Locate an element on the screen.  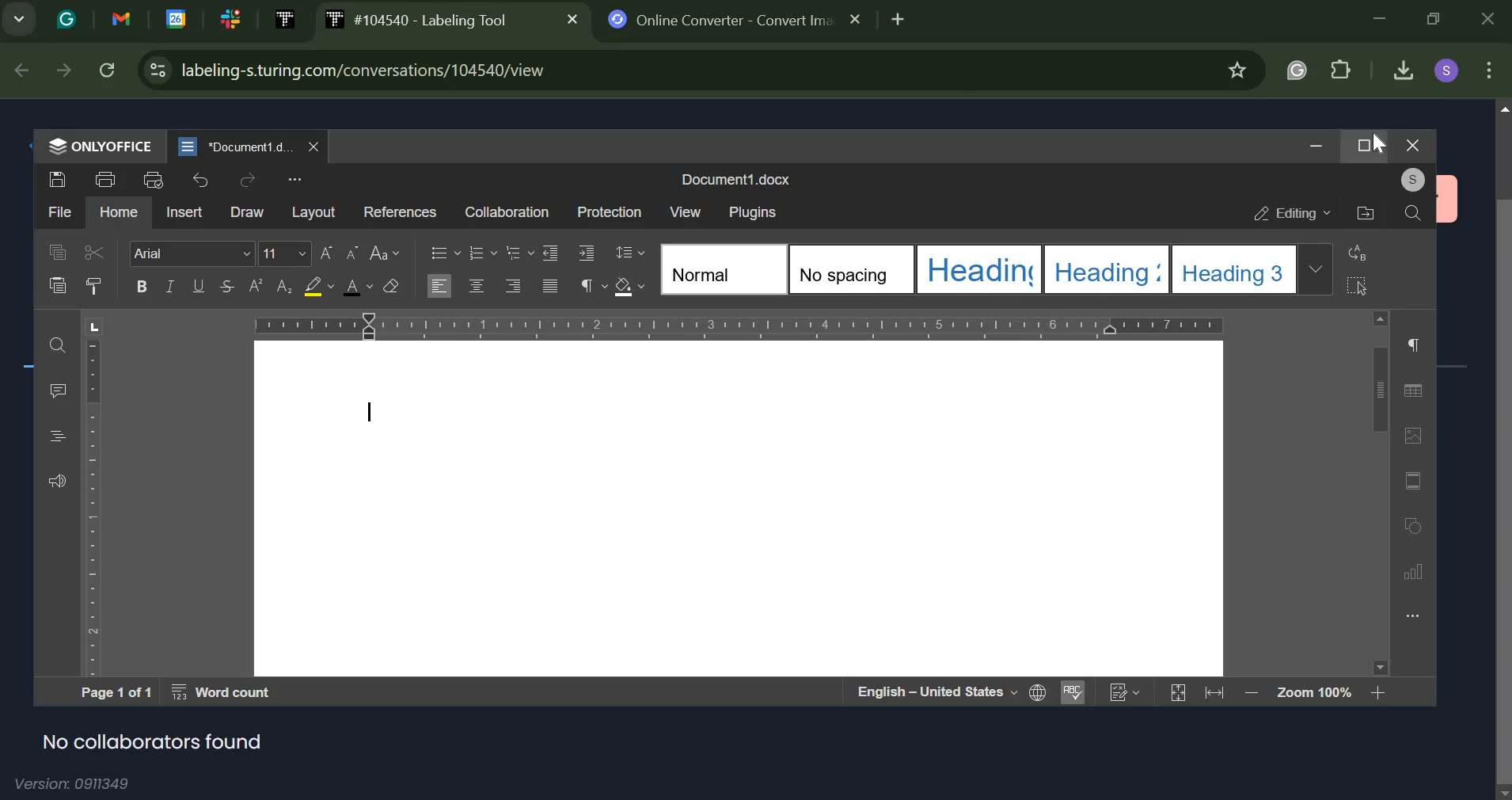
save is located at coordinates (59, 180).